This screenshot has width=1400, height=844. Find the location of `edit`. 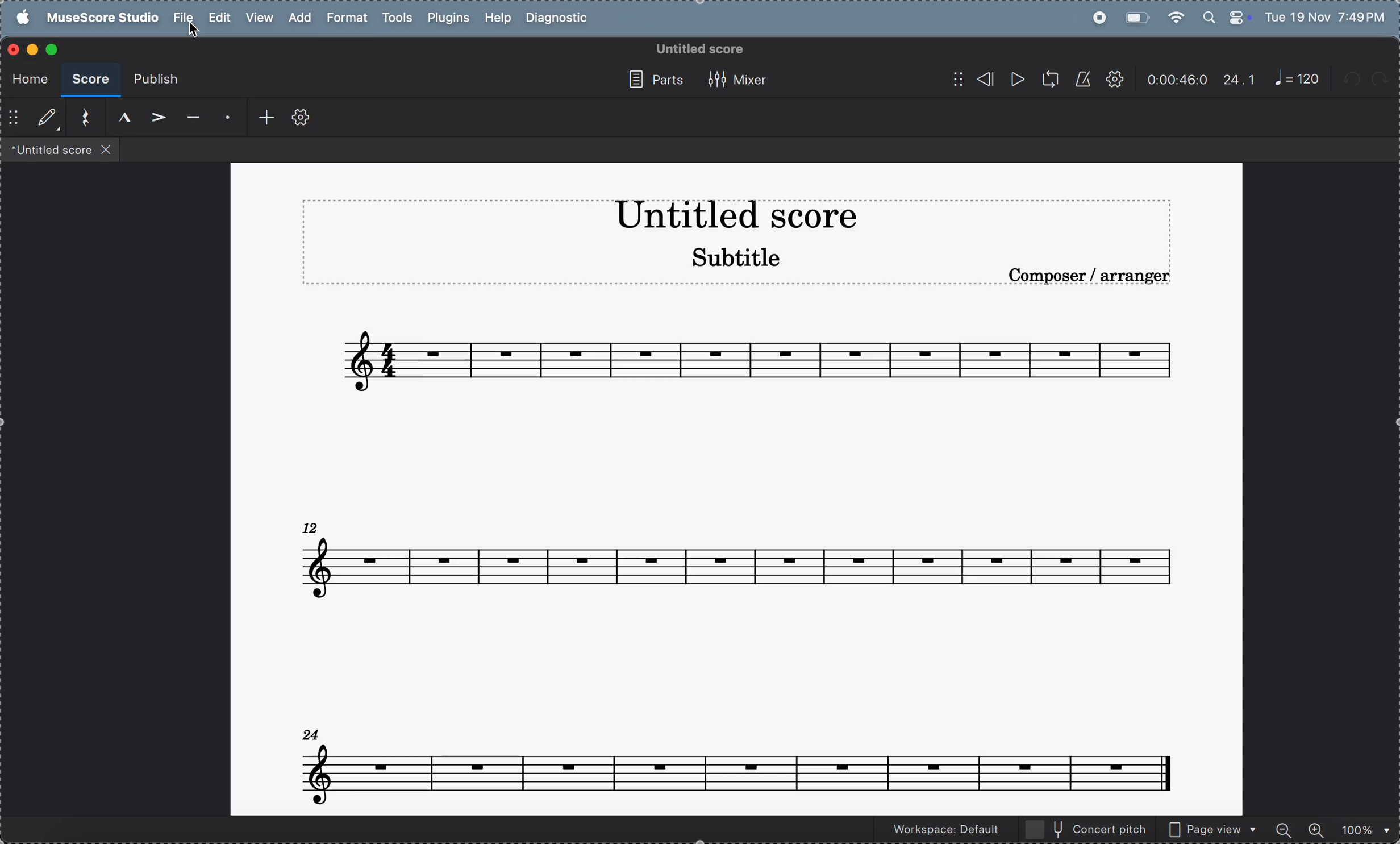

edit is located at coordinates (220, 18).